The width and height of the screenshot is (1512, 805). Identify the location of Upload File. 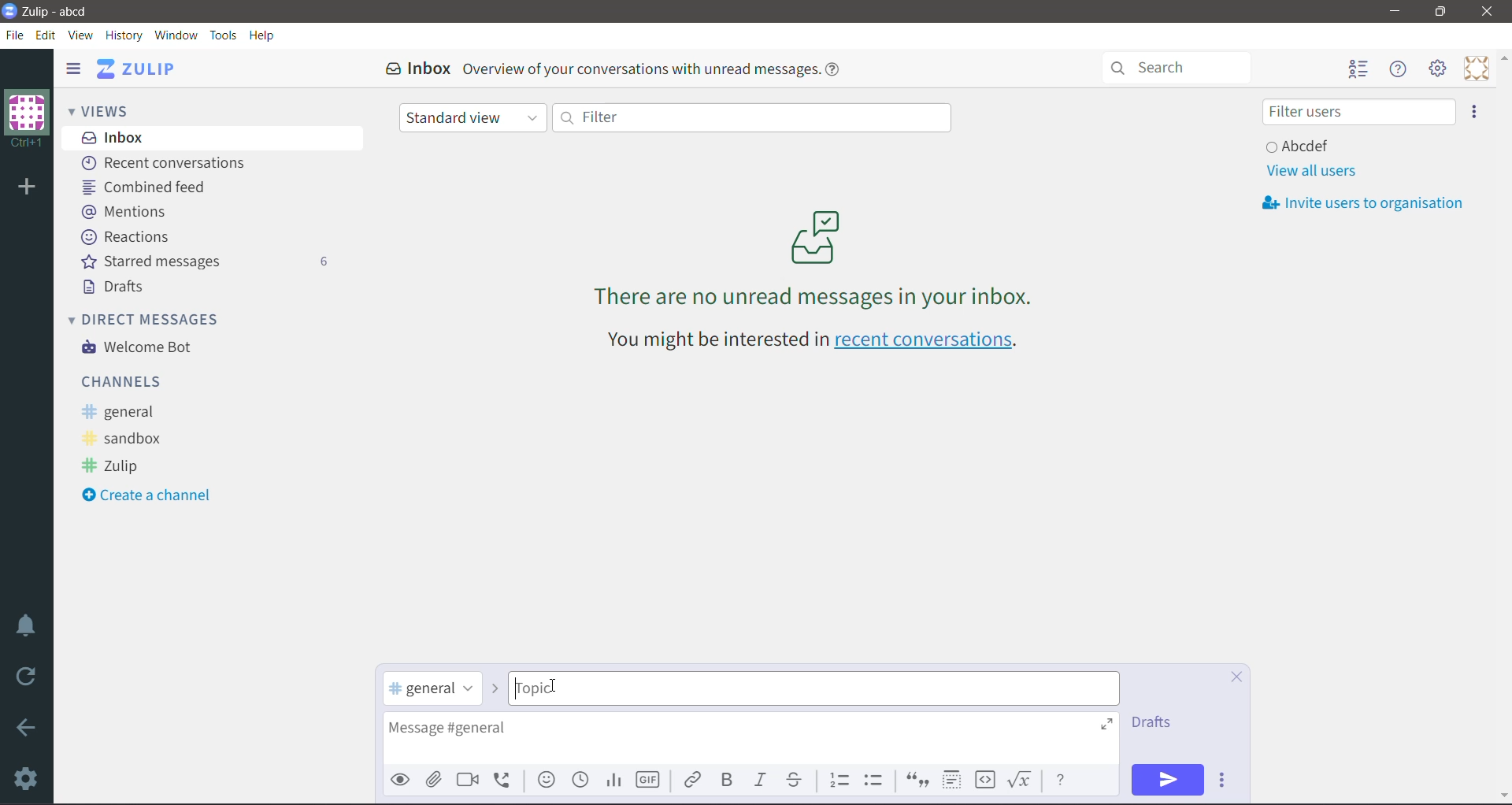
(434, 780).